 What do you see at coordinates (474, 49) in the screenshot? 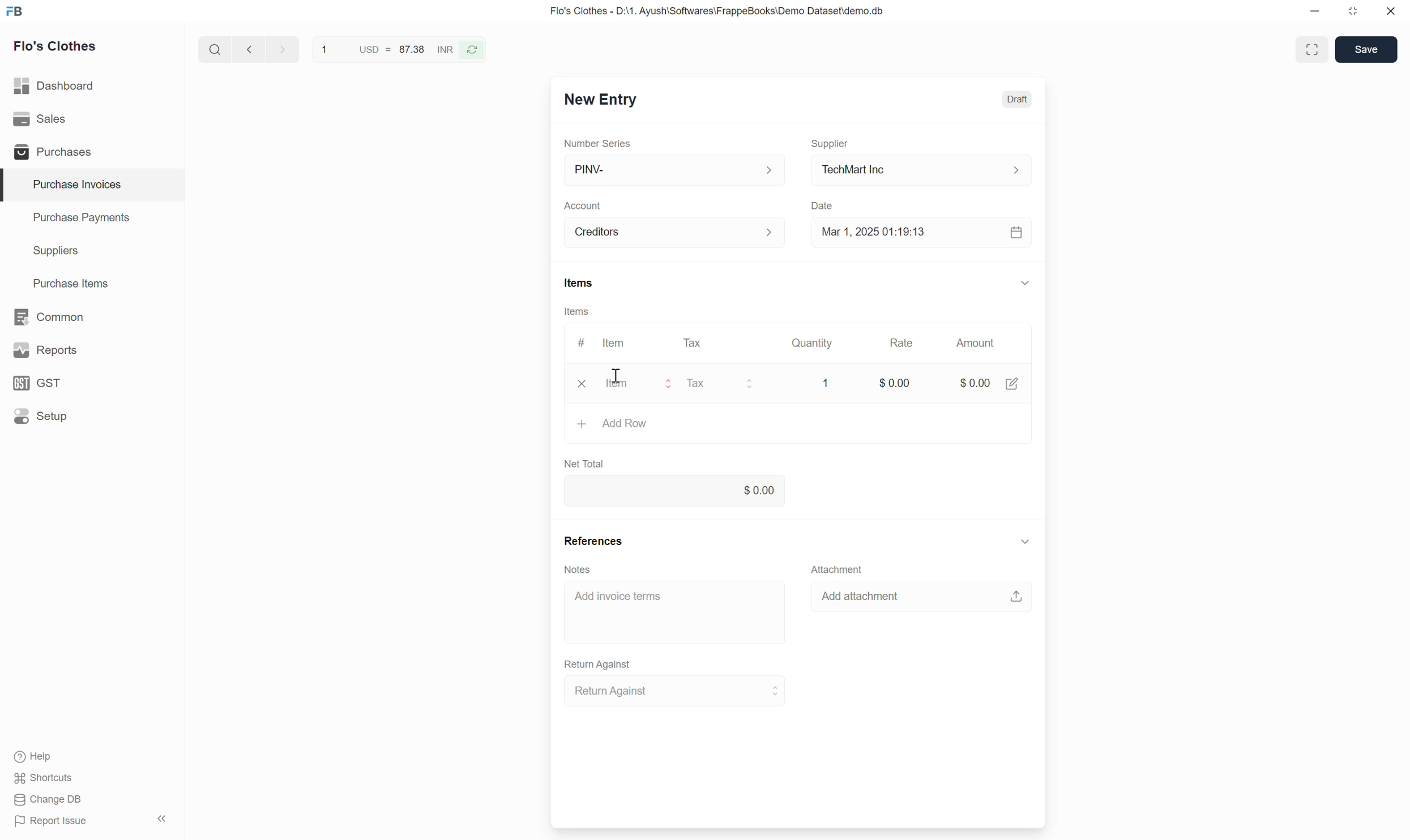
I see `refresh ` at bounding box center [474, 49].